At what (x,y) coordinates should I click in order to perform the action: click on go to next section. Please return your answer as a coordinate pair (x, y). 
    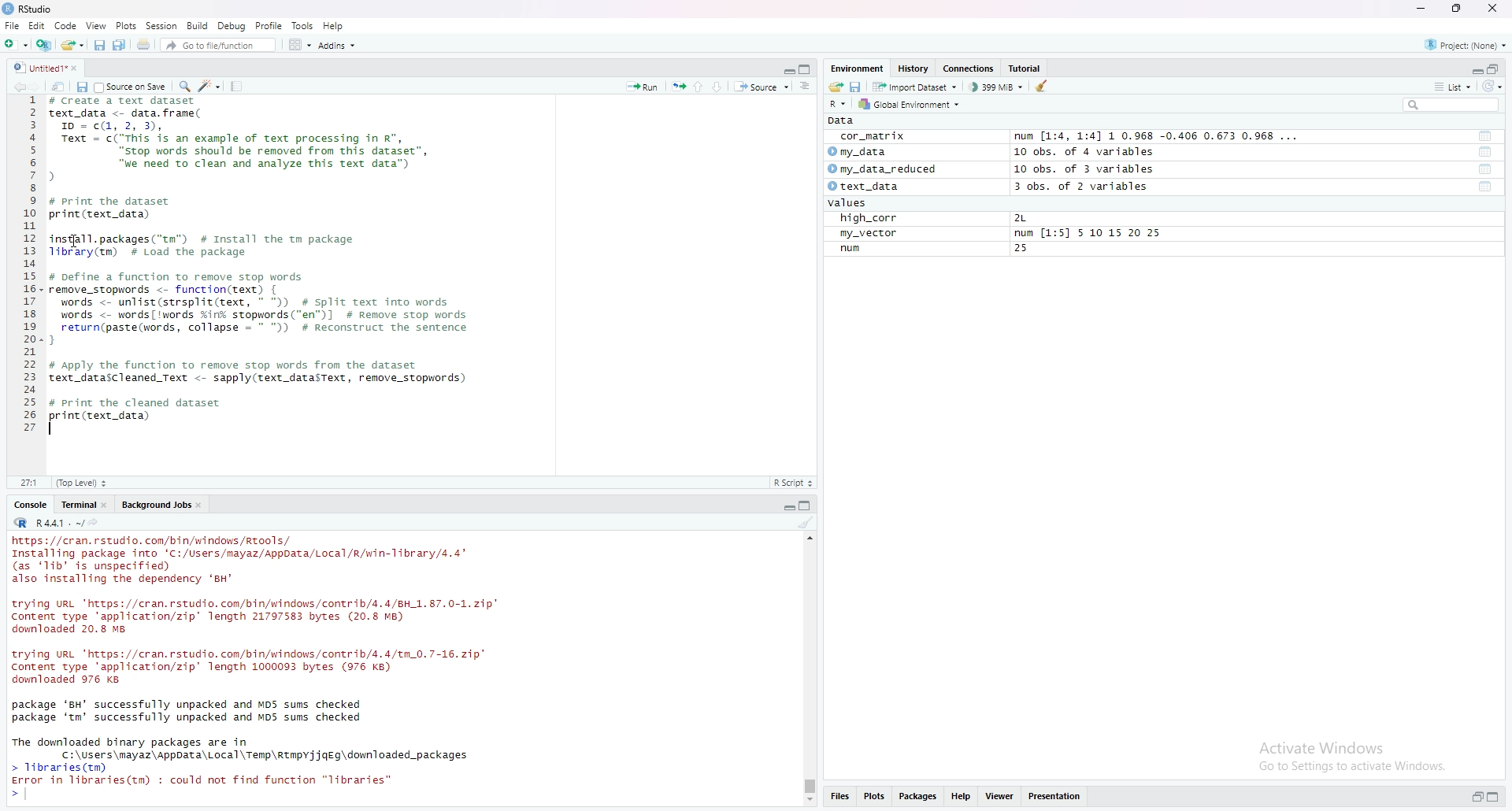
    Looking at the image, I should click on (721, 85).